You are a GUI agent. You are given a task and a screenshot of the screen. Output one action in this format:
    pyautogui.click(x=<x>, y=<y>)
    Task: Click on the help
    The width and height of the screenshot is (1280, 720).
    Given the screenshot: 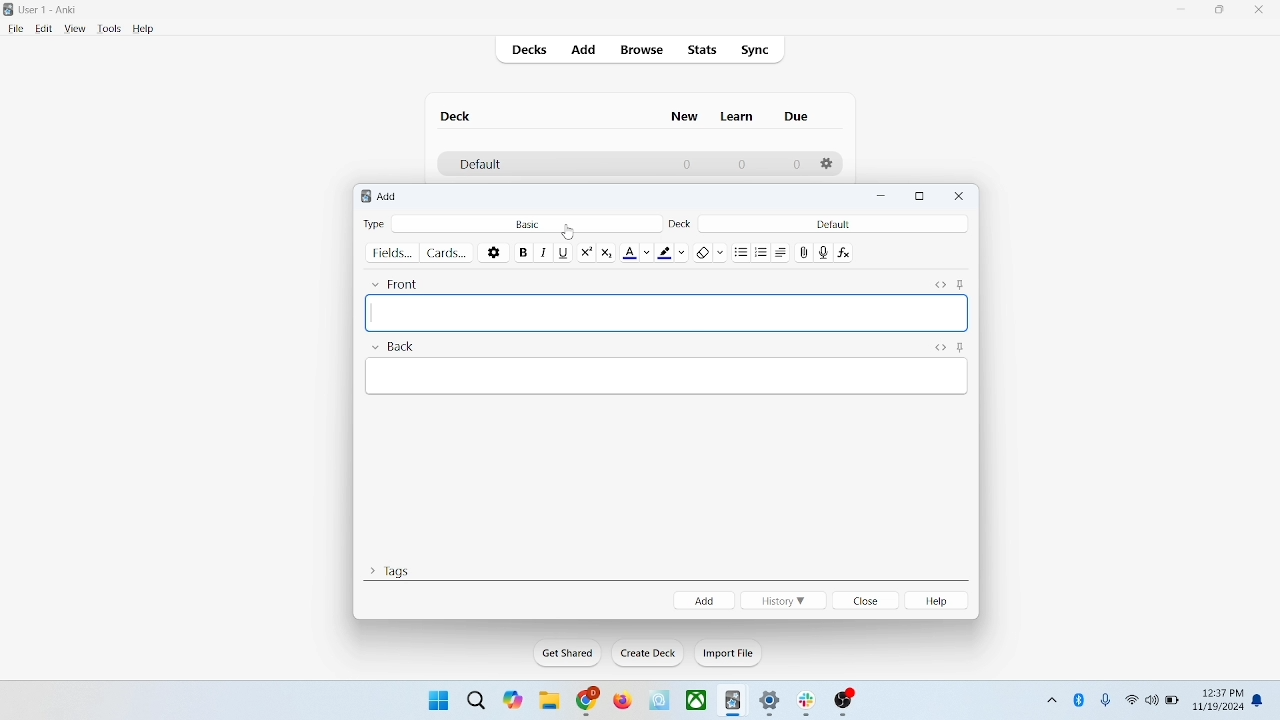 What is the action you would take?
    pyautogui.click(x=144, y=30)
    